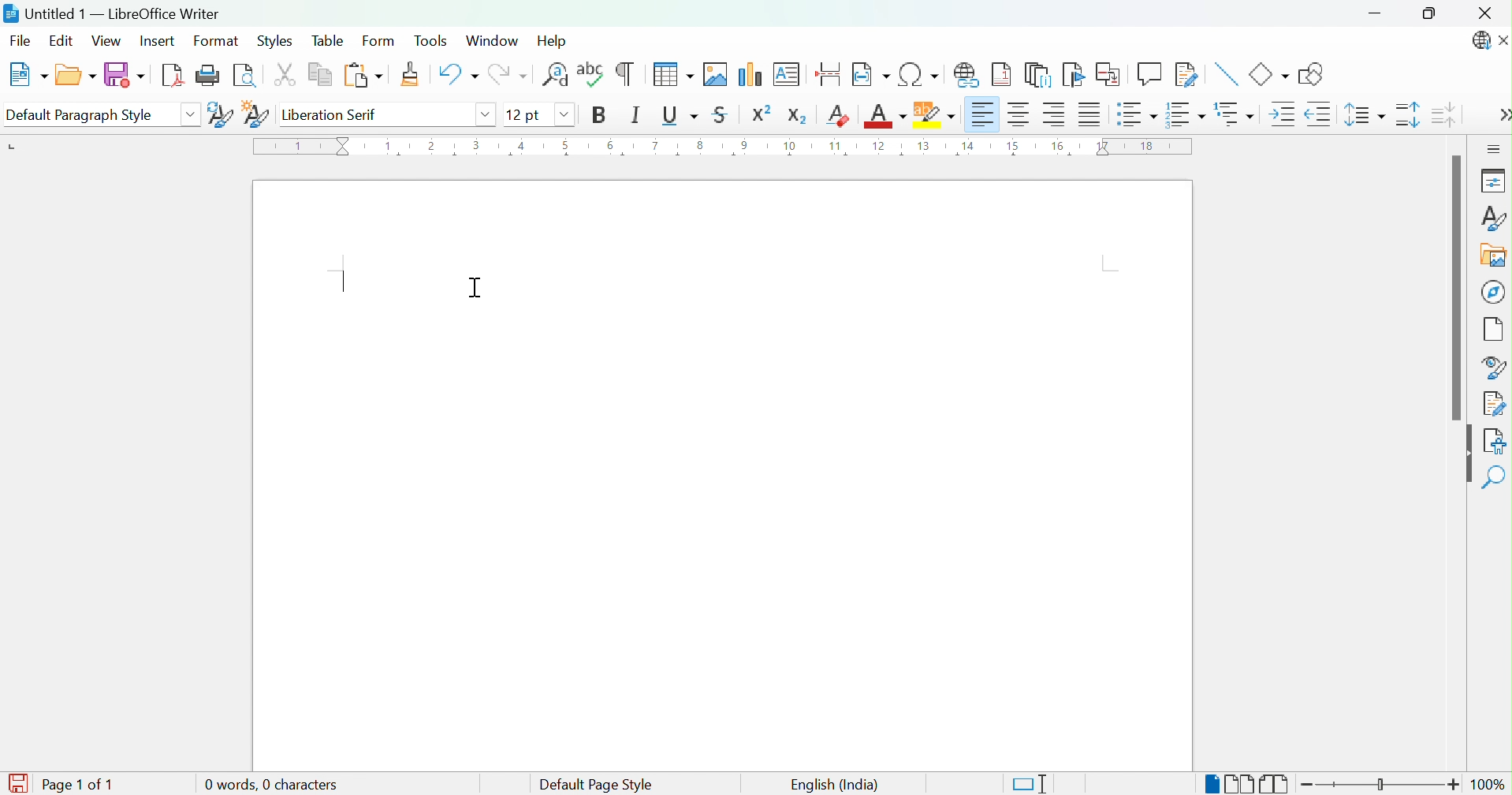 Image resolution: width=1512 pixels, height=795 pixels. What do you see at coordinates (788, 72) in the screenshot?
I see `Insert Text Box` at bounding box center [788, 72].